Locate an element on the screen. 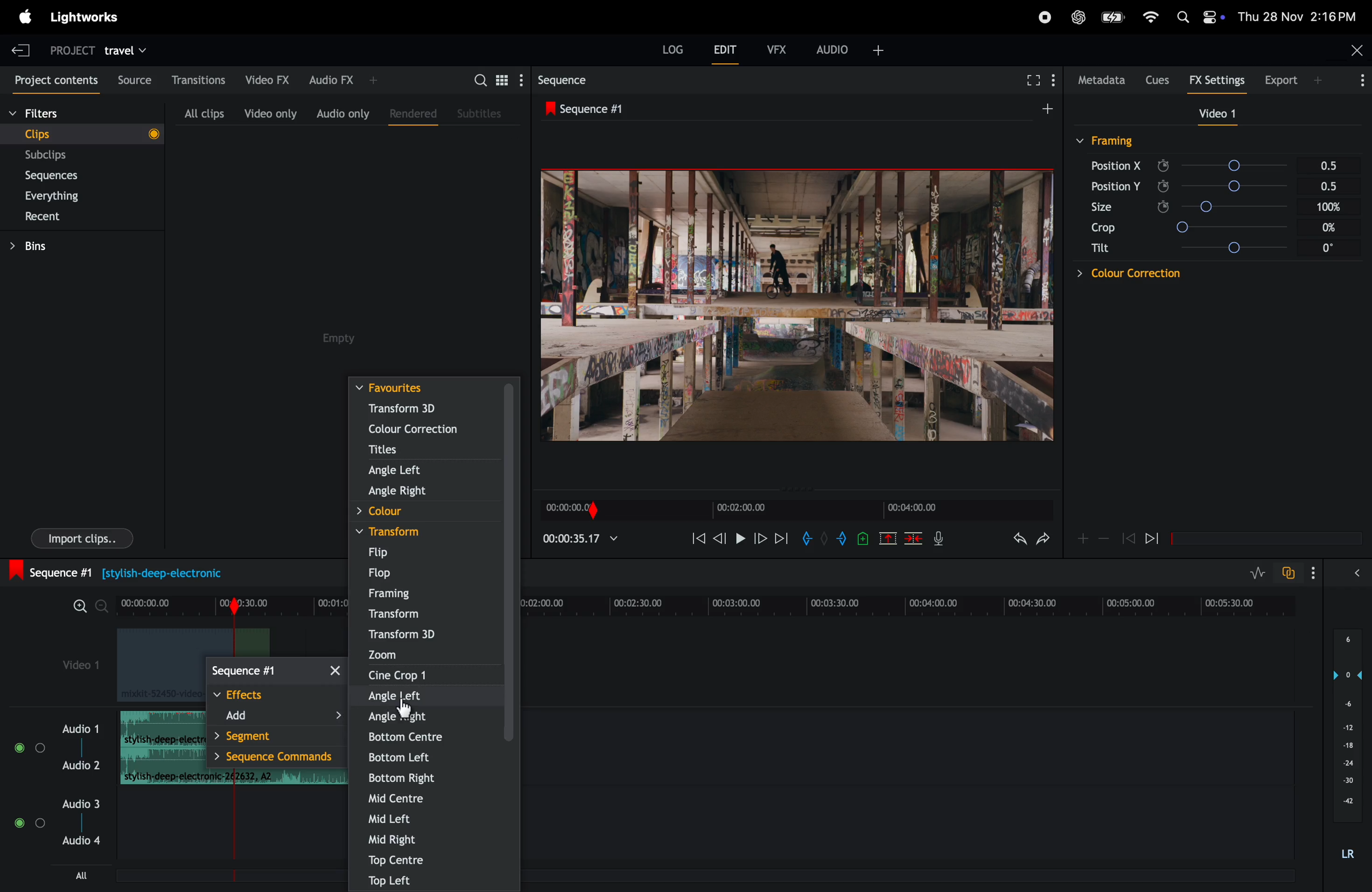 The image size is (1372, 892). zoom is located at coordinates (429, 655).